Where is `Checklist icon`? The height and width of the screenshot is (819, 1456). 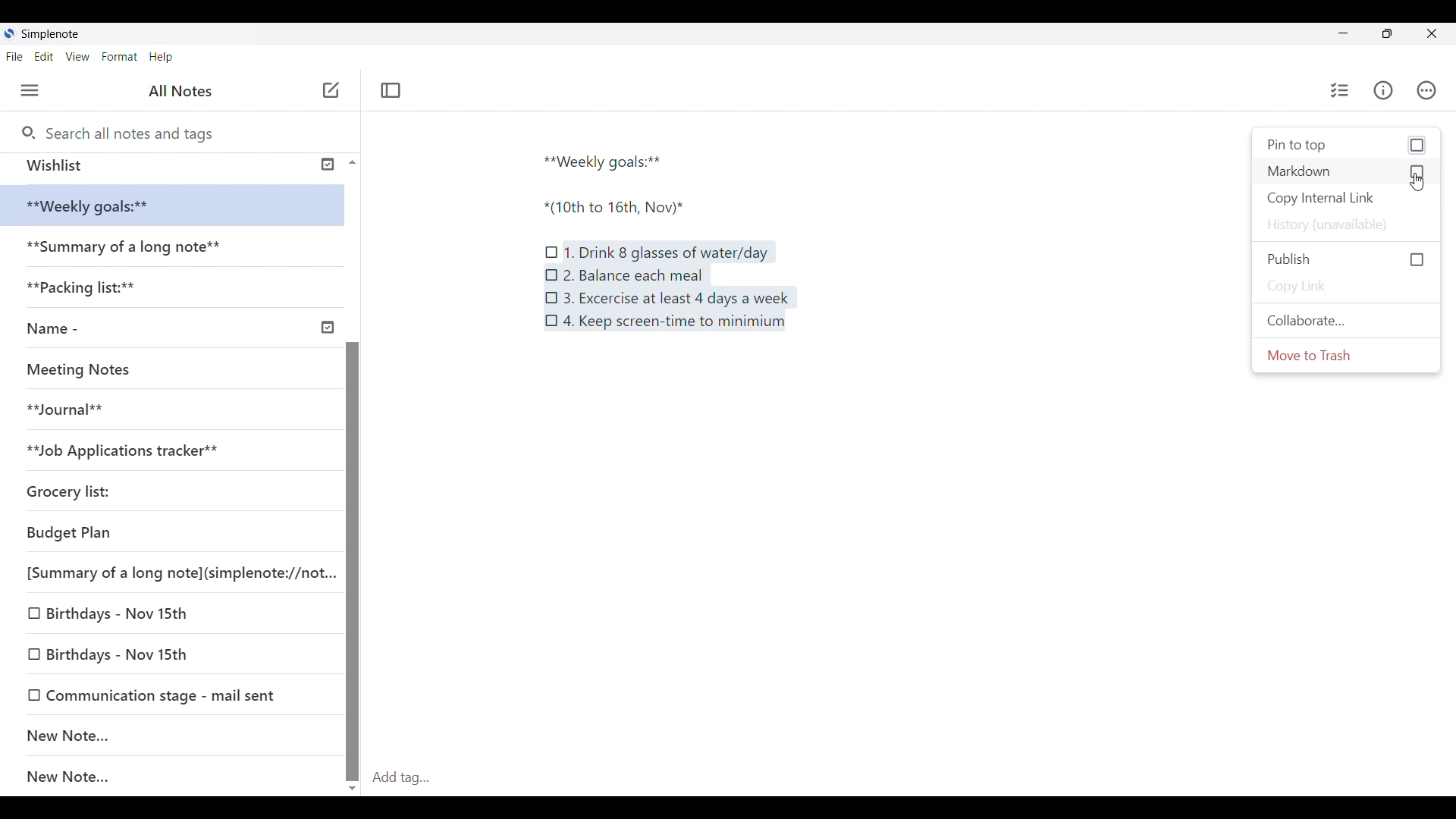
Checklist icon is located at coordinates (552, 247).